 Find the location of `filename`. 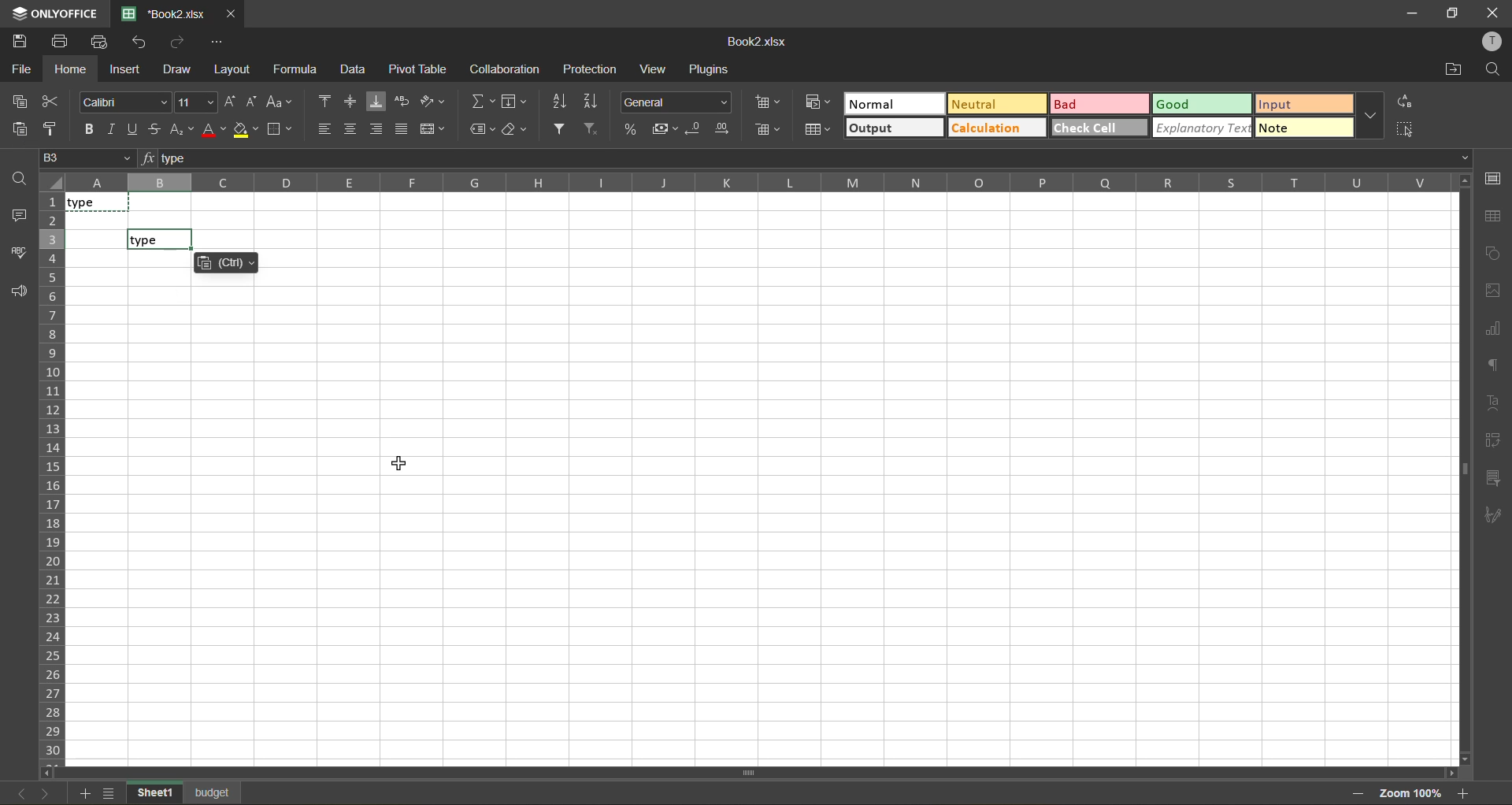

filename is located at coordinates (161, 14).